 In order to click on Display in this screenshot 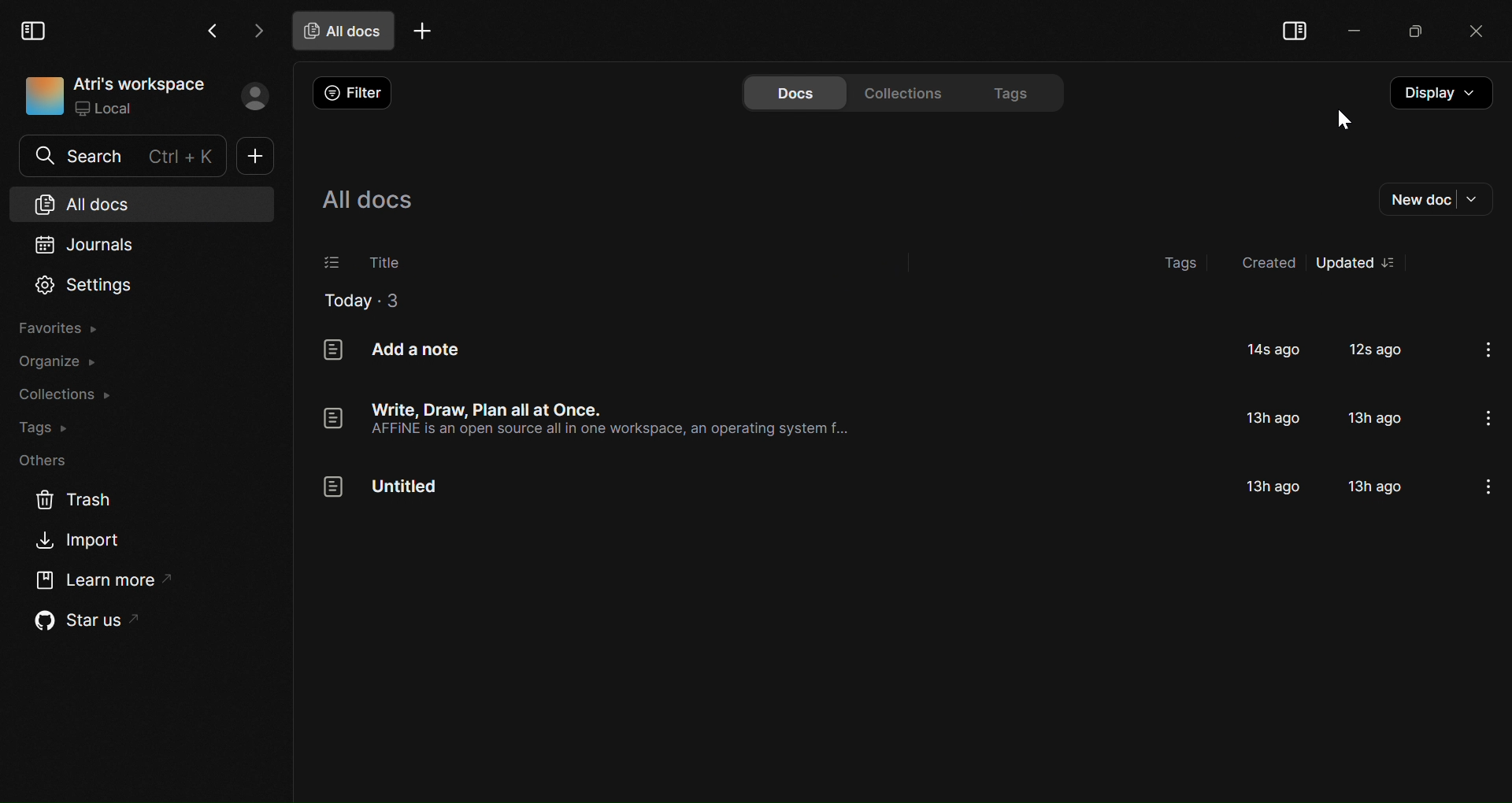, I will do `click(1439, 93)`.